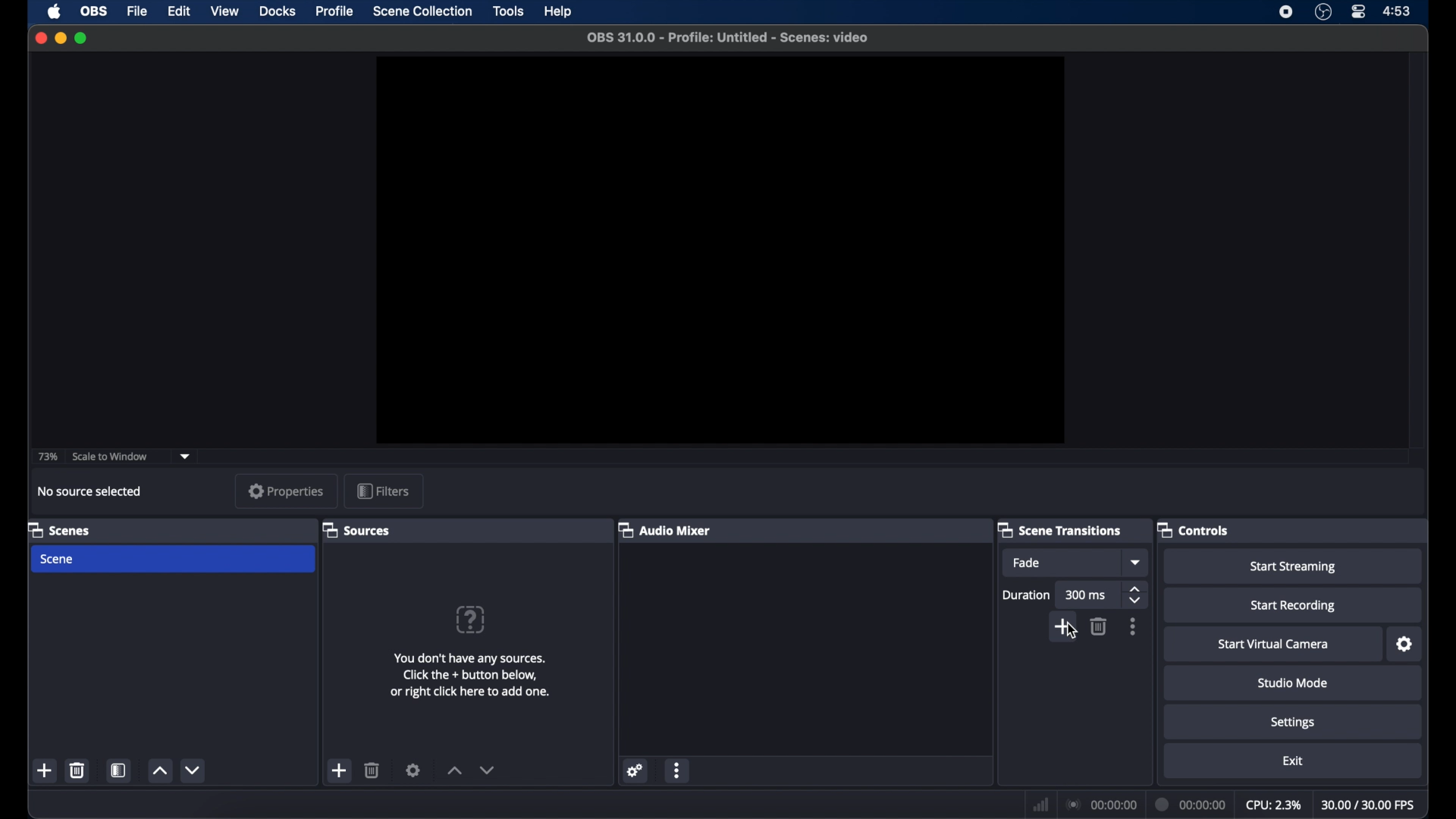 This screenshot has width=1456, height=819. I want to click on add, so click(337, 770).